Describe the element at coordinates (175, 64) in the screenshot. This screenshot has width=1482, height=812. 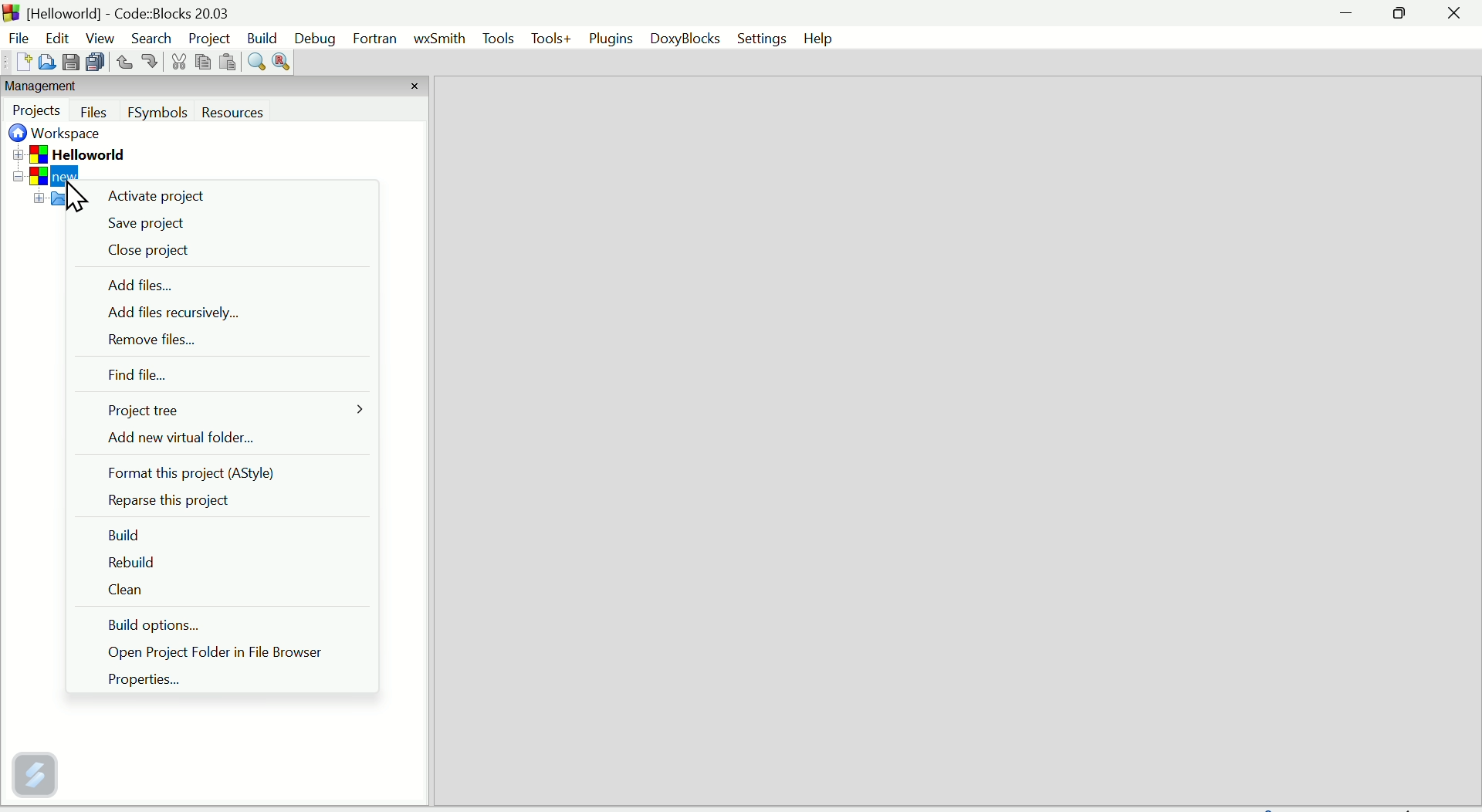
I see `Cut` at that location.